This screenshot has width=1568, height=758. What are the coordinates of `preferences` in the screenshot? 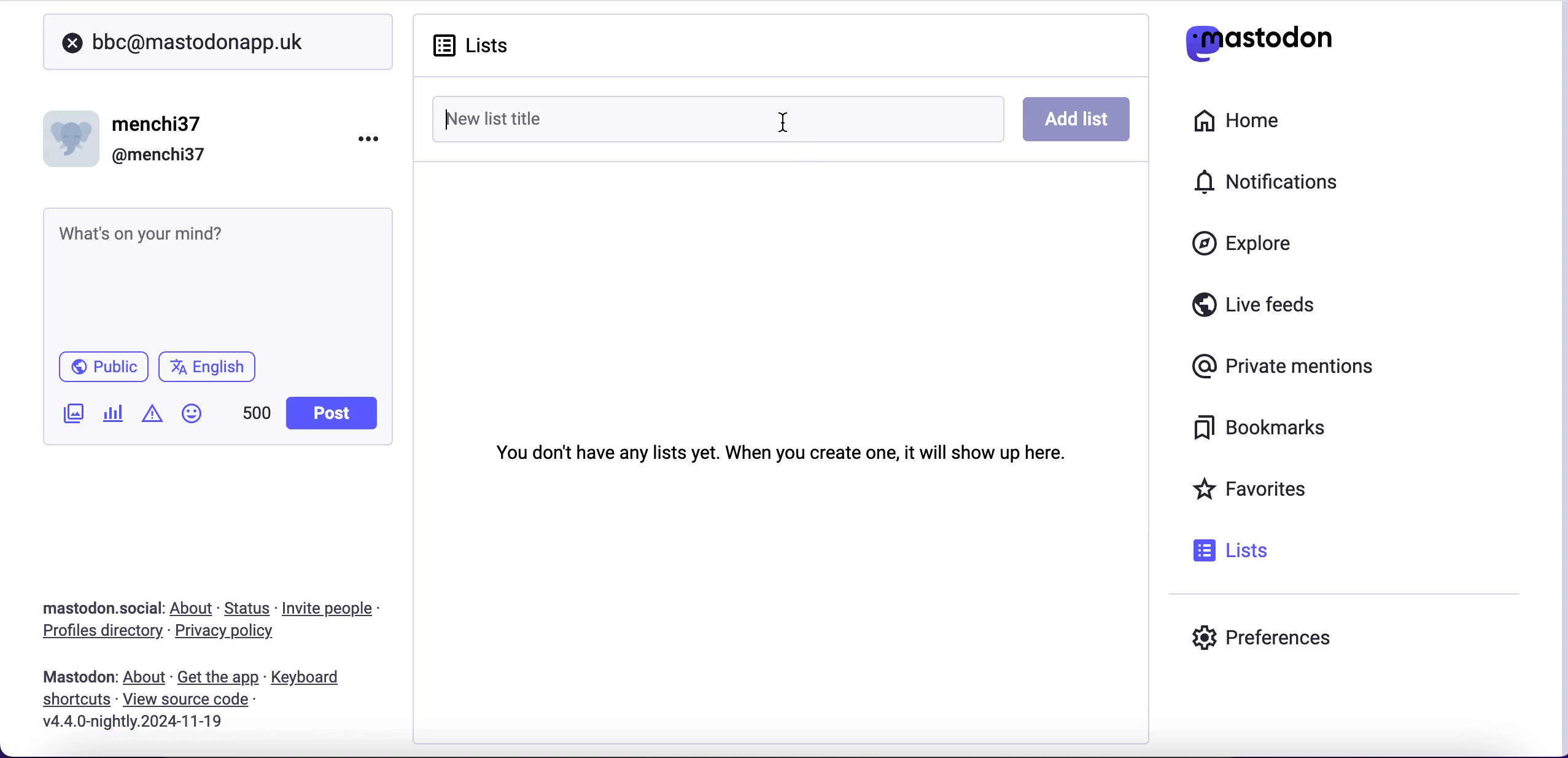 It's located at (1262, 641).